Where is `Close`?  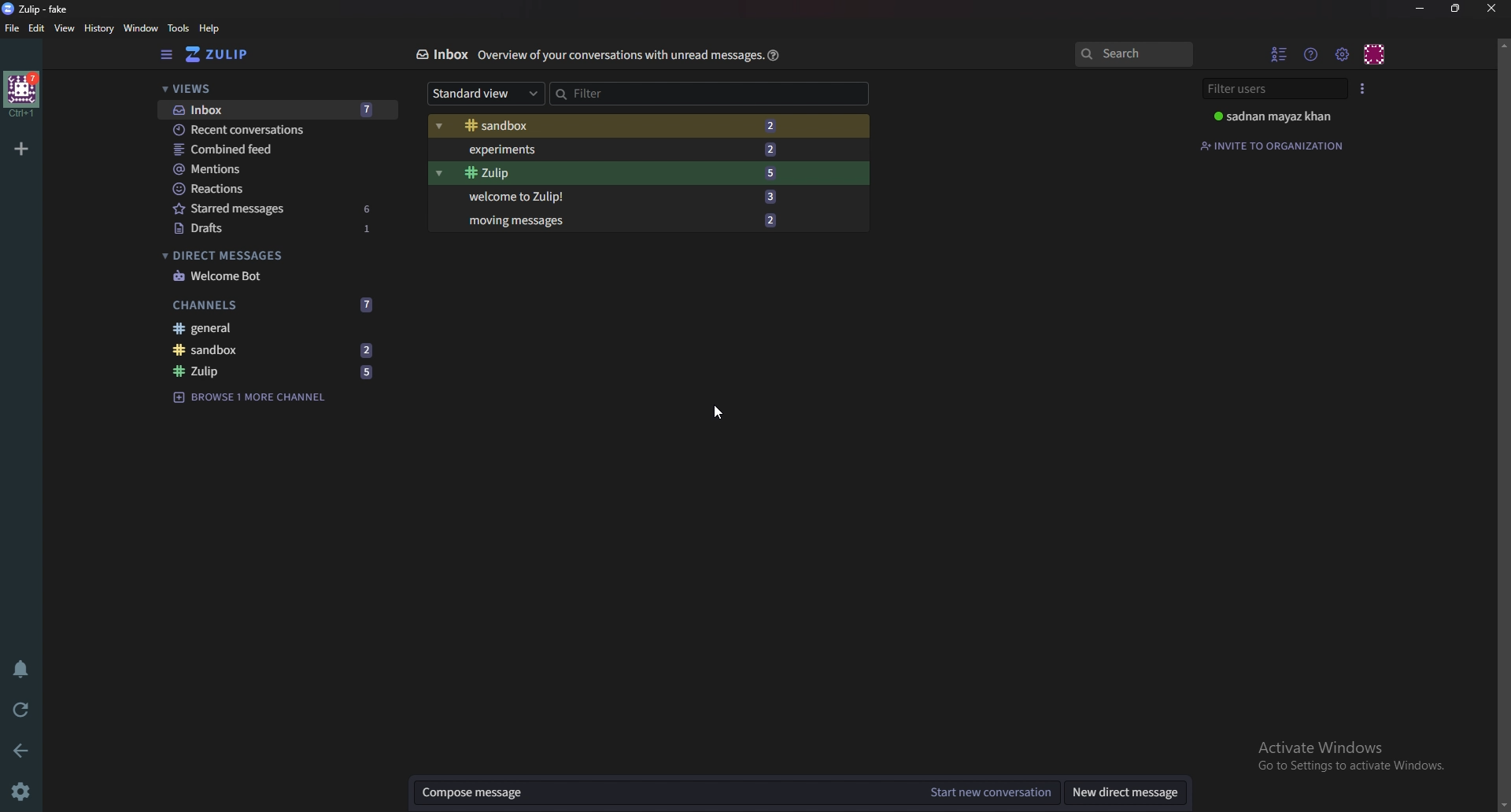 Close is located at coordinates (1494, 9).